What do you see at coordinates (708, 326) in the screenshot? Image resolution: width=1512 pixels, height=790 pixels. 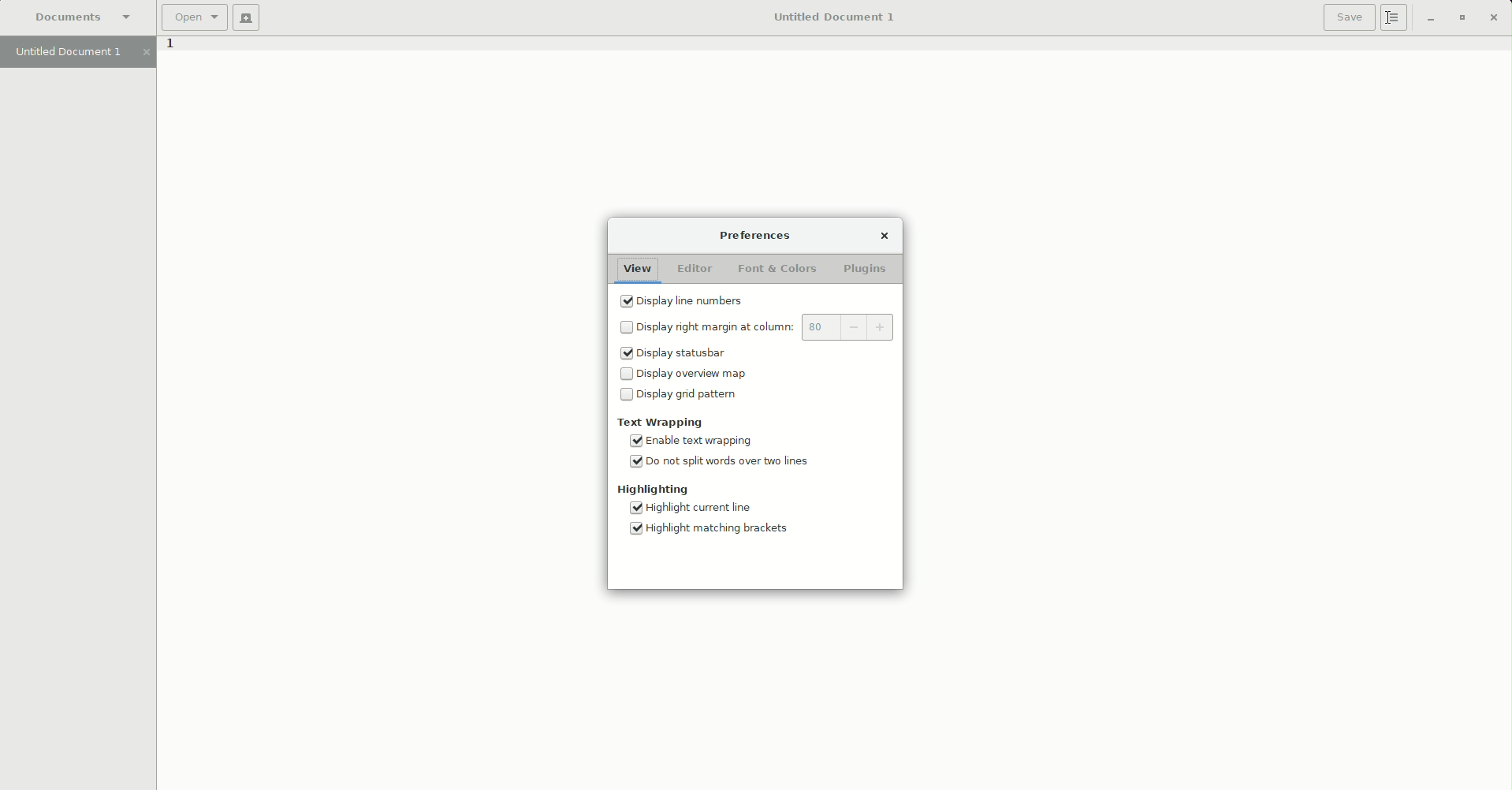 I see `Display right margin at column` at bounding box center [708, 326].